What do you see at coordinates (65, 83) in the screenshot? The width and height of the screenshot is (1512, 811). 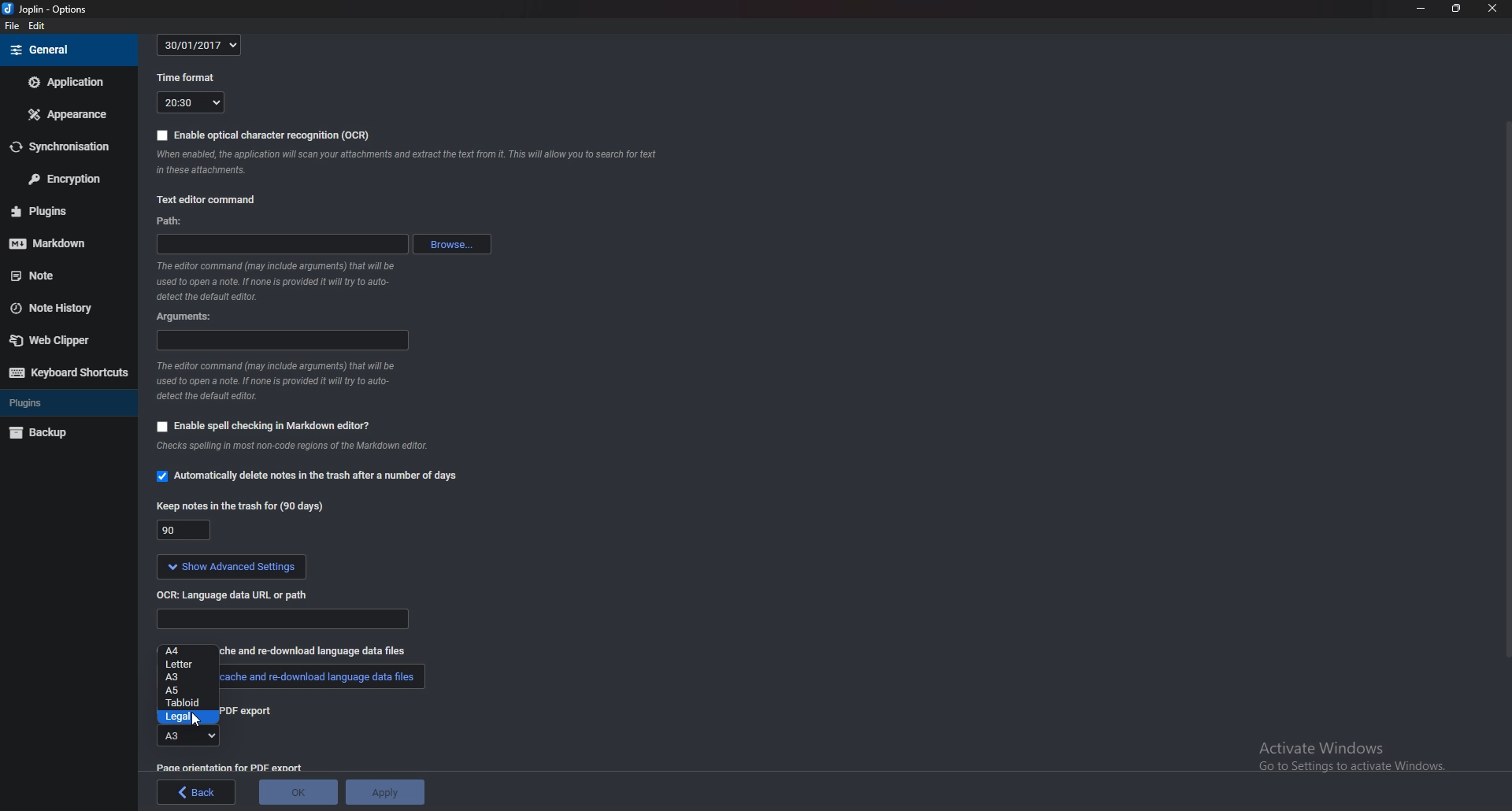 I see `Application` at bounding box center [65, 83].